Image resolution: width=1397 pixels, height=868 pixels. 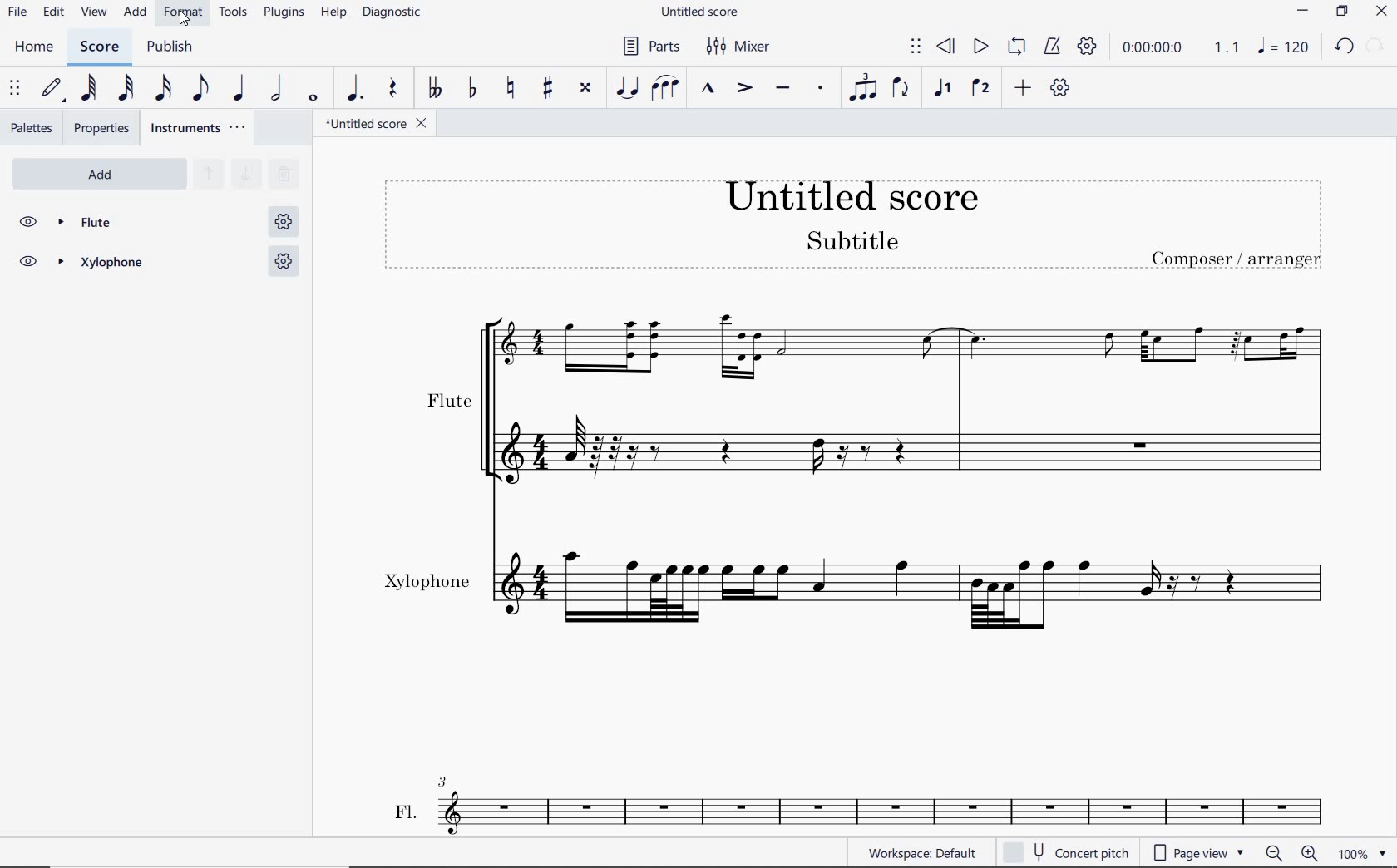 I want to click on 32ND NOTE, so click(x=124, y=86).